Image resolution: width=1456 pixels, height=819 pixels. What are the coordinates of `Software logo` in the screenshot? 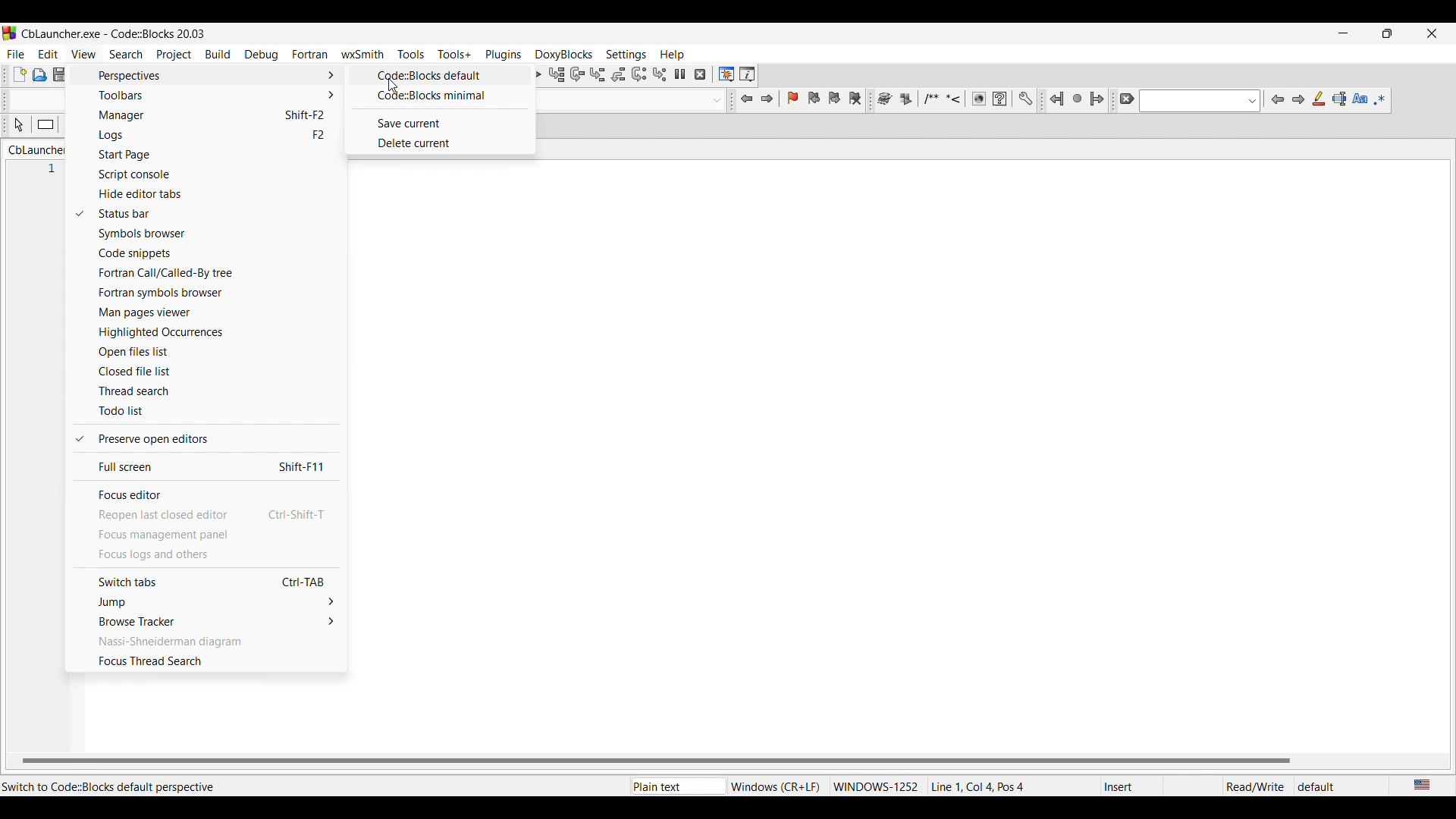 It's located at (10, 33).